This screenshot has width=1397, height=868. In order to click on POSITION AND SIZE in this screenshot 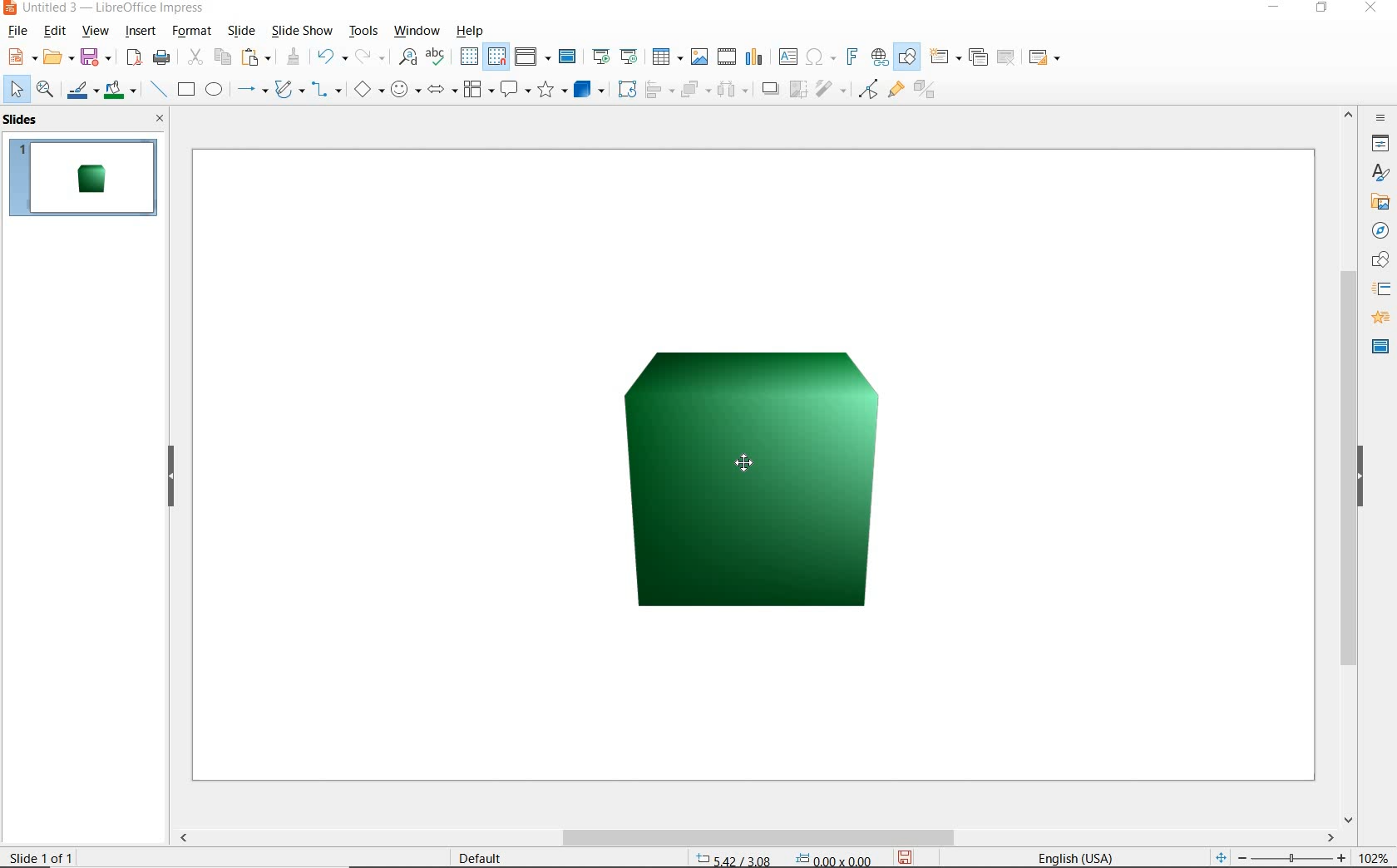, I will do `click(786, 857)`.